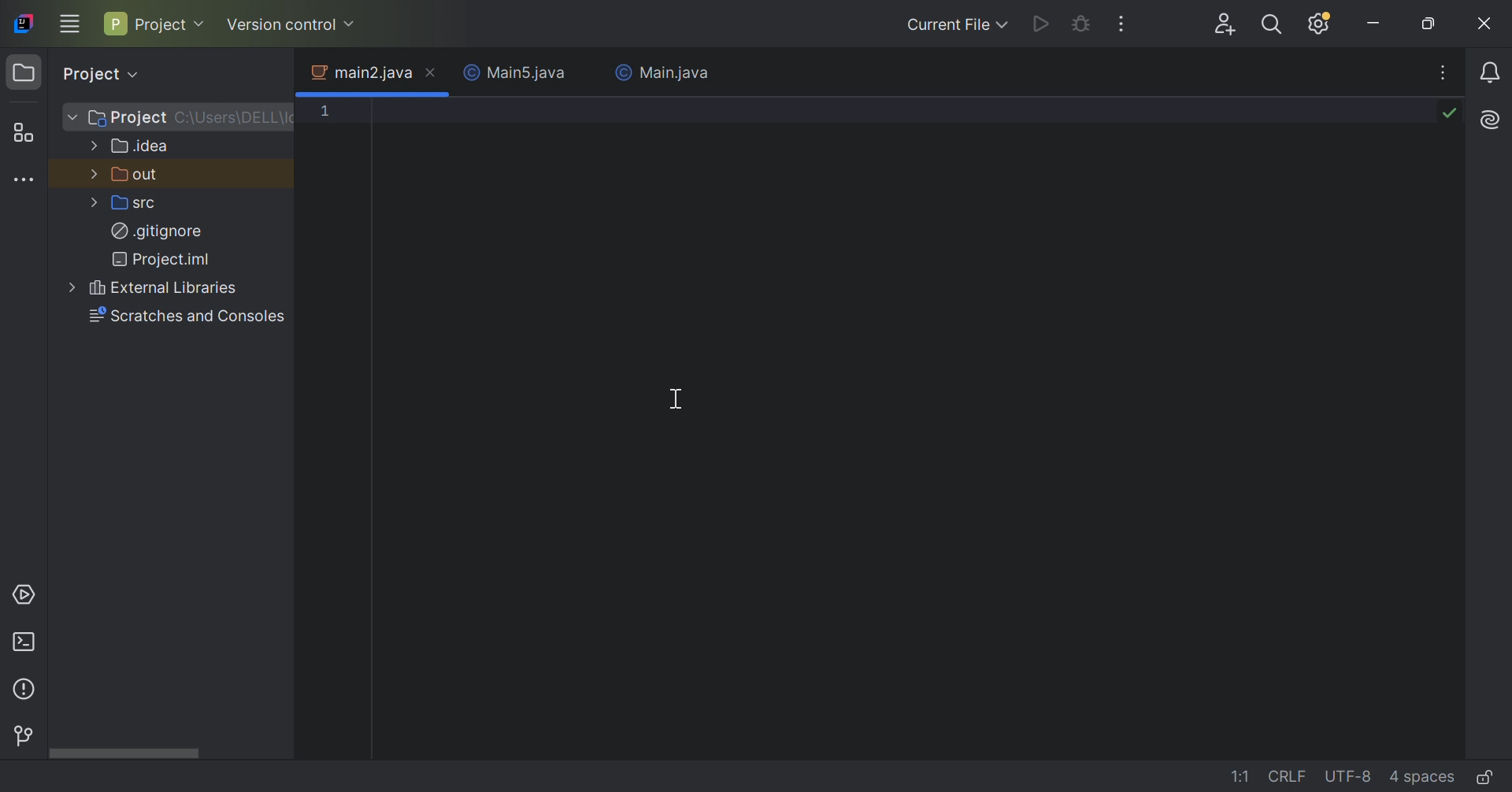 The width and height of the screenshot is (1512, 792). What do you see at coordinates (22, 732) in the screenshot?
I see `Version control` at bounding box center [22, 732].